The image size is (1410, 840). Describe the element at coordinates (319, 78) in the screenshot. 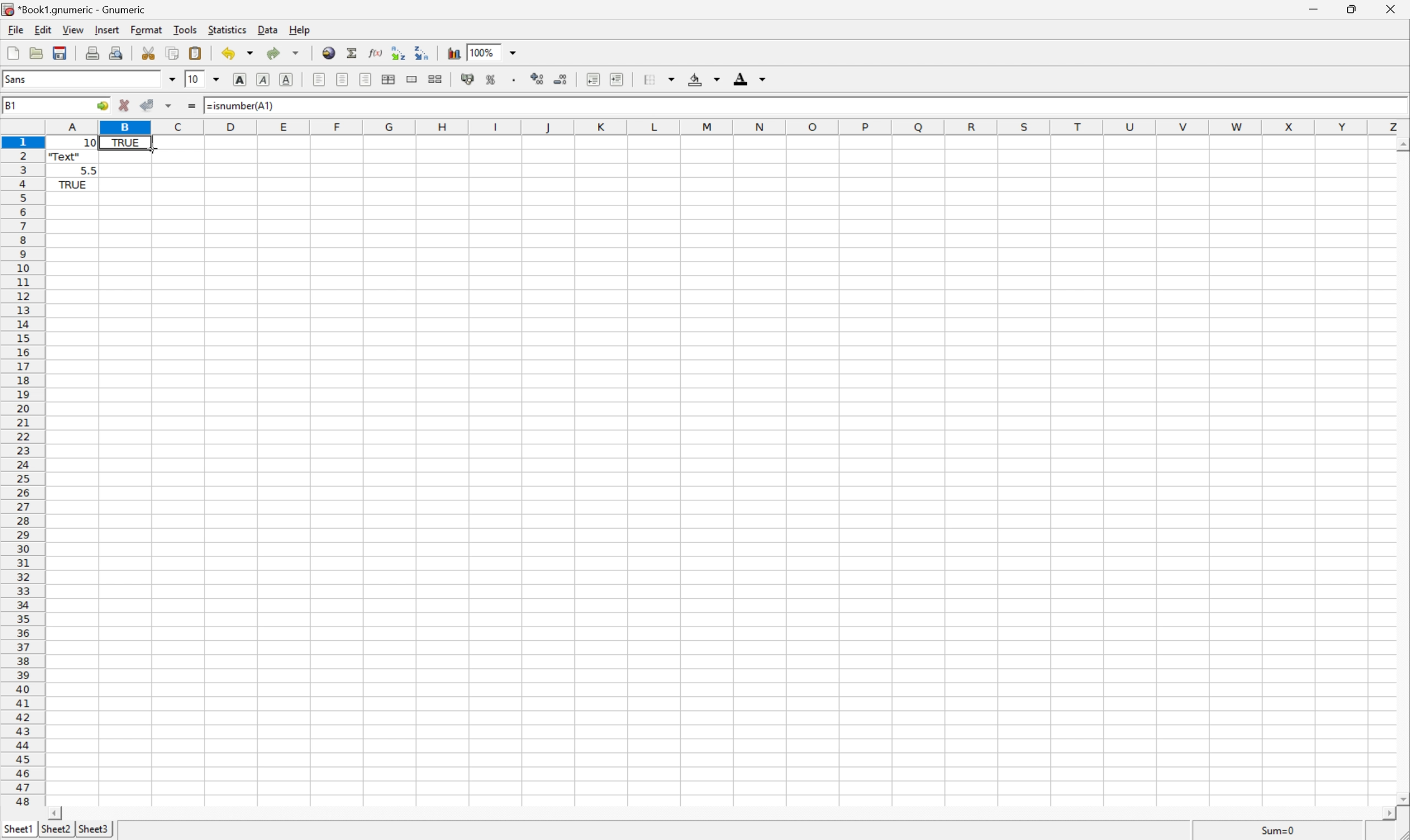

I see `Align Left` at that location.